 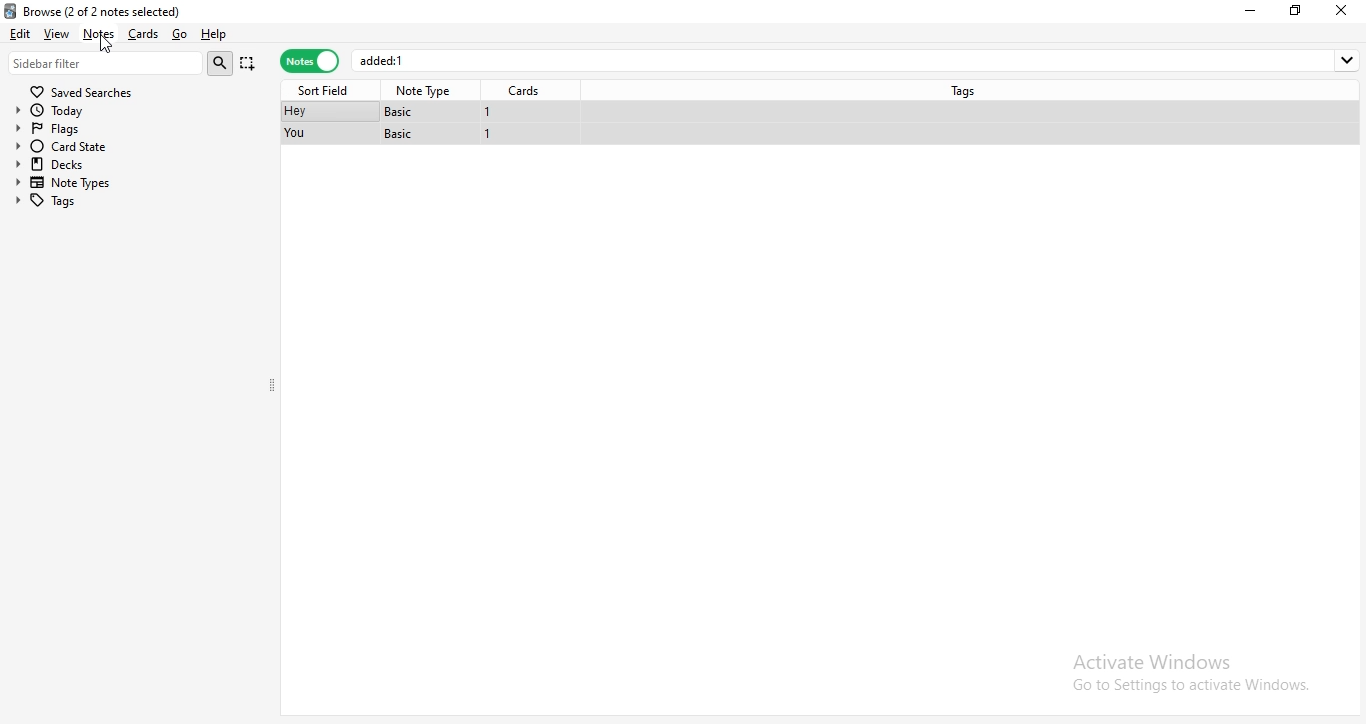 What do you see at coordinates (85, 89) in the screenshot?
I see `saves searches` at bounding box center [85, 89].